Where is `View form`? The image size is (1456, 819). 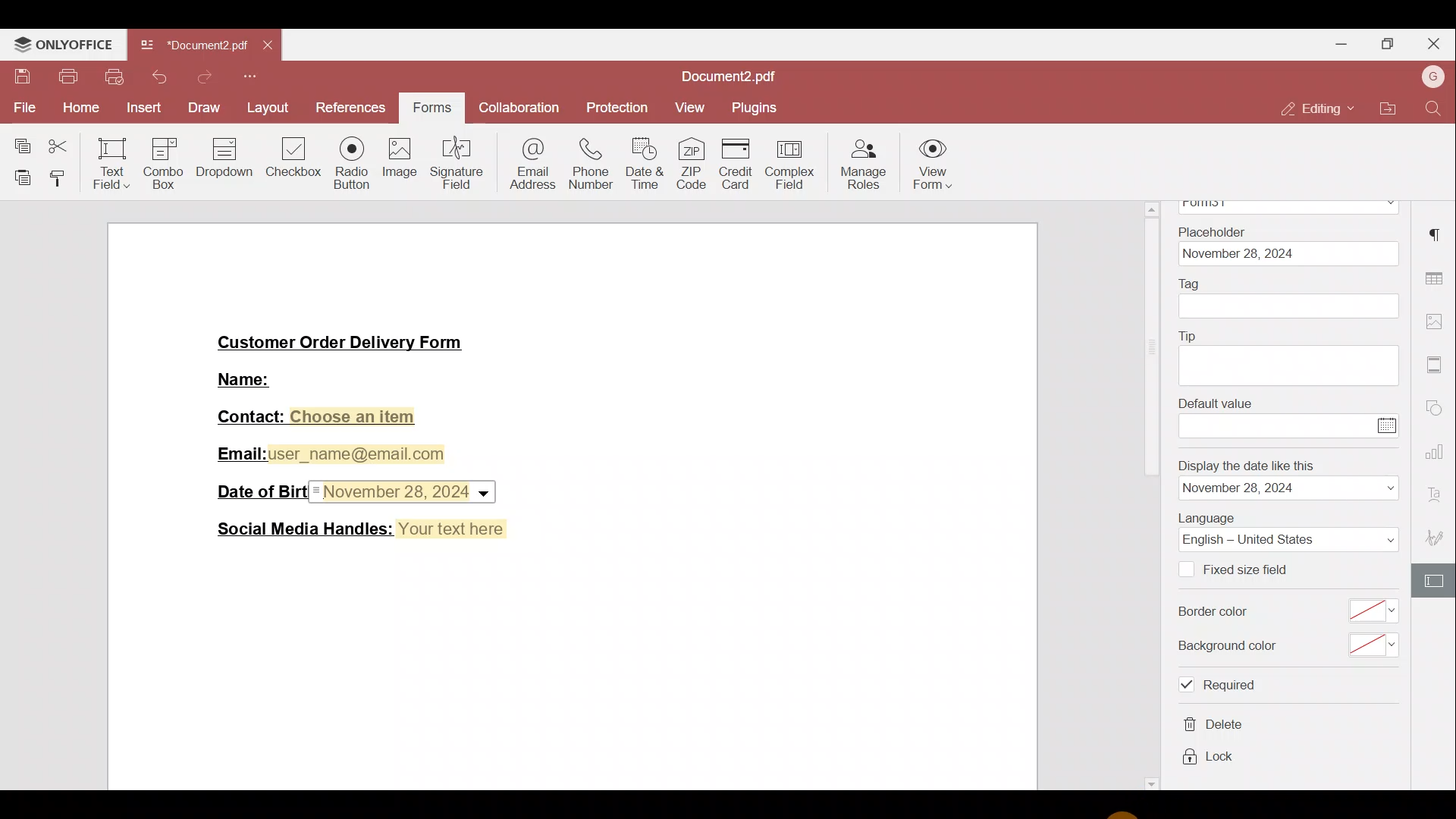
View form is located at coordinates (930, 168).